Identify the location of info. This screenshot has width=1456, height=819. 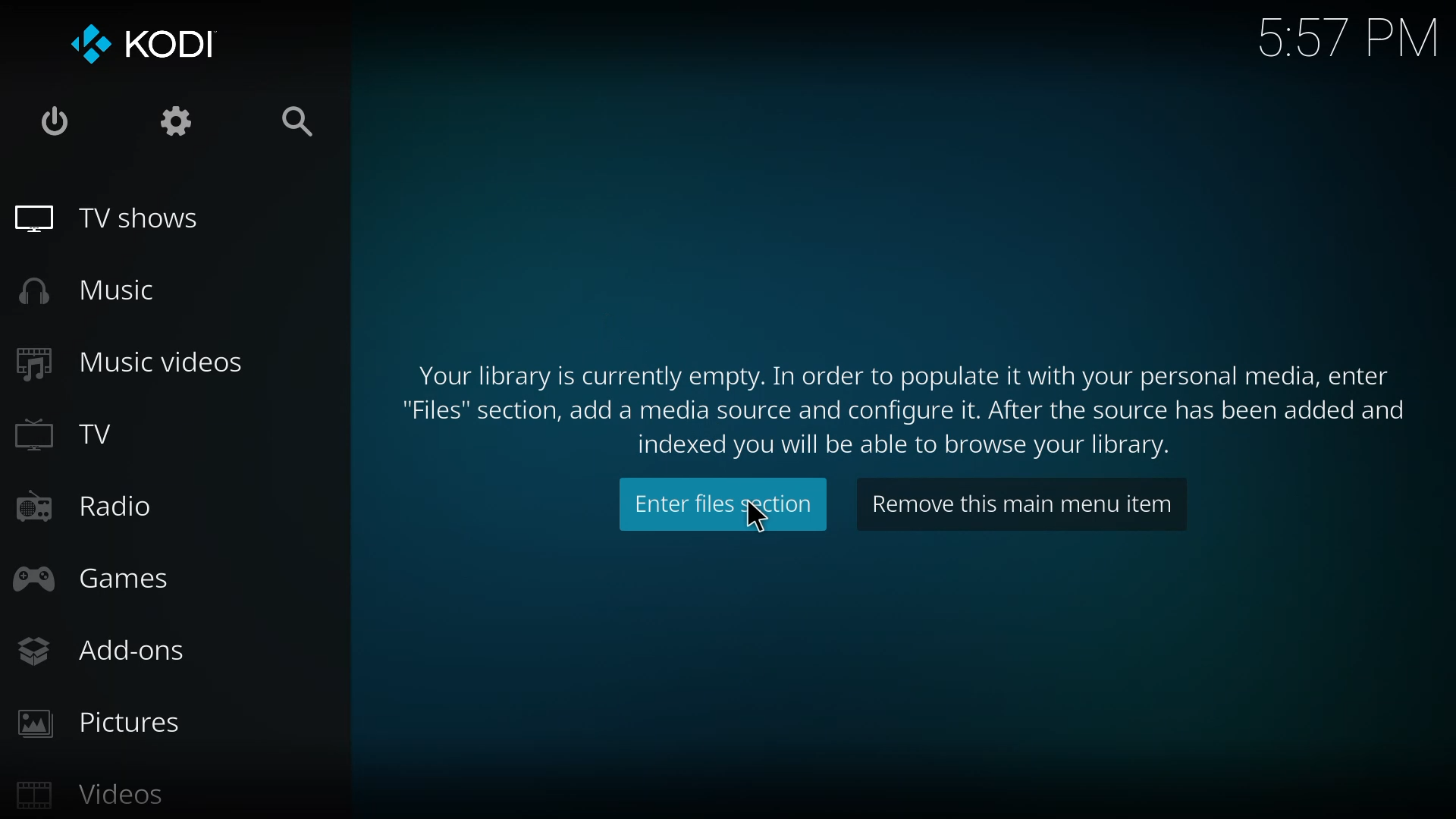
(894, 402).